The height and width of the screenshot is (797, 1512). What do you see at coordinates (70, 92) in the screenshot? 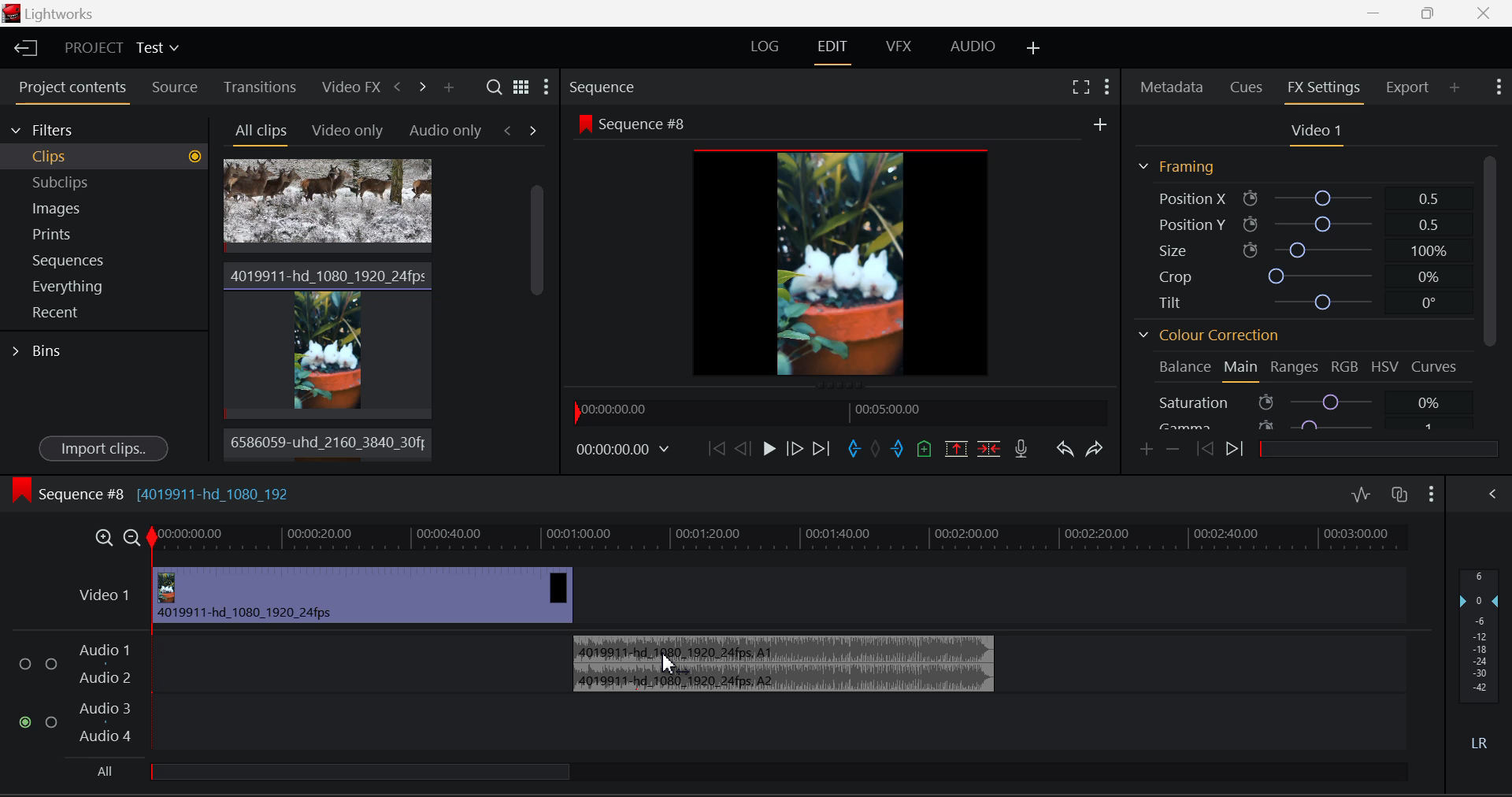
I see `Project contents open` at bounding box center [70, 92].